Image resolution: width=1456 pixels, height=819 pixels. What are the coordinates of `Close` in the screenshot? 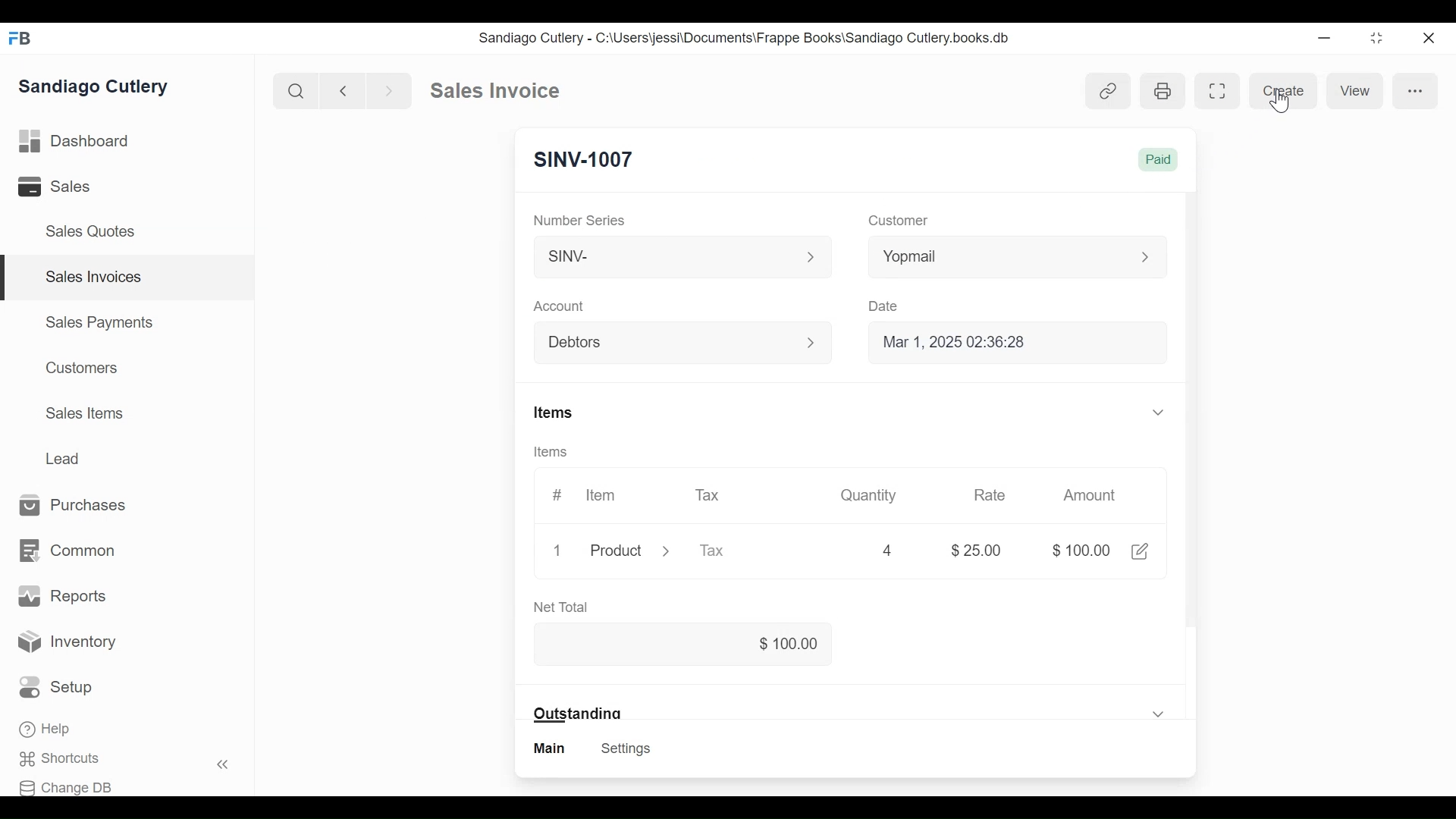 It's located at (1432, 39).